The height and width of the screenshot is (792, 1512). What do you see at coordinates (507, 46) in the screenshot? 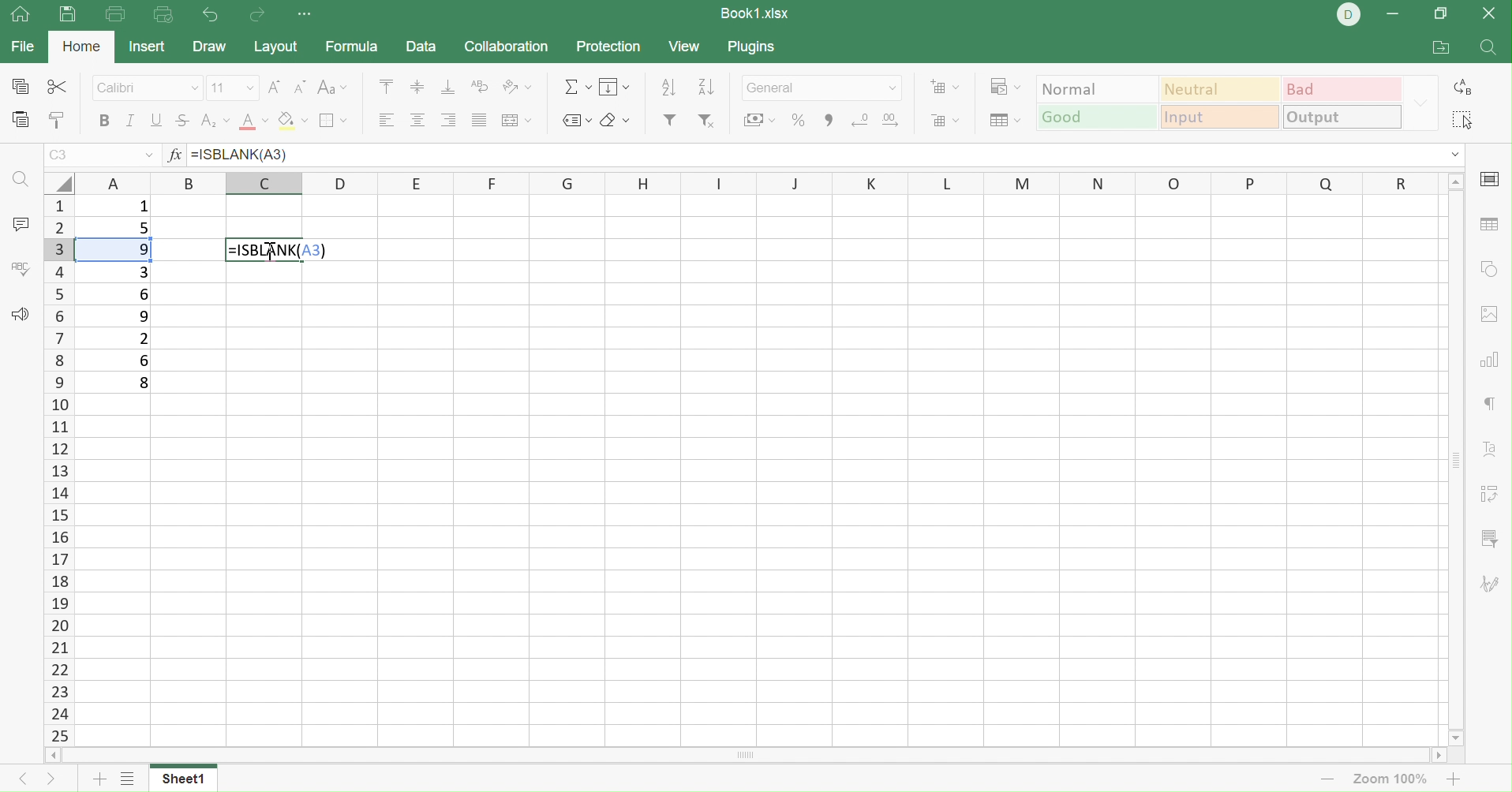
I see `Collaboration` at bounding box center [507, 46].